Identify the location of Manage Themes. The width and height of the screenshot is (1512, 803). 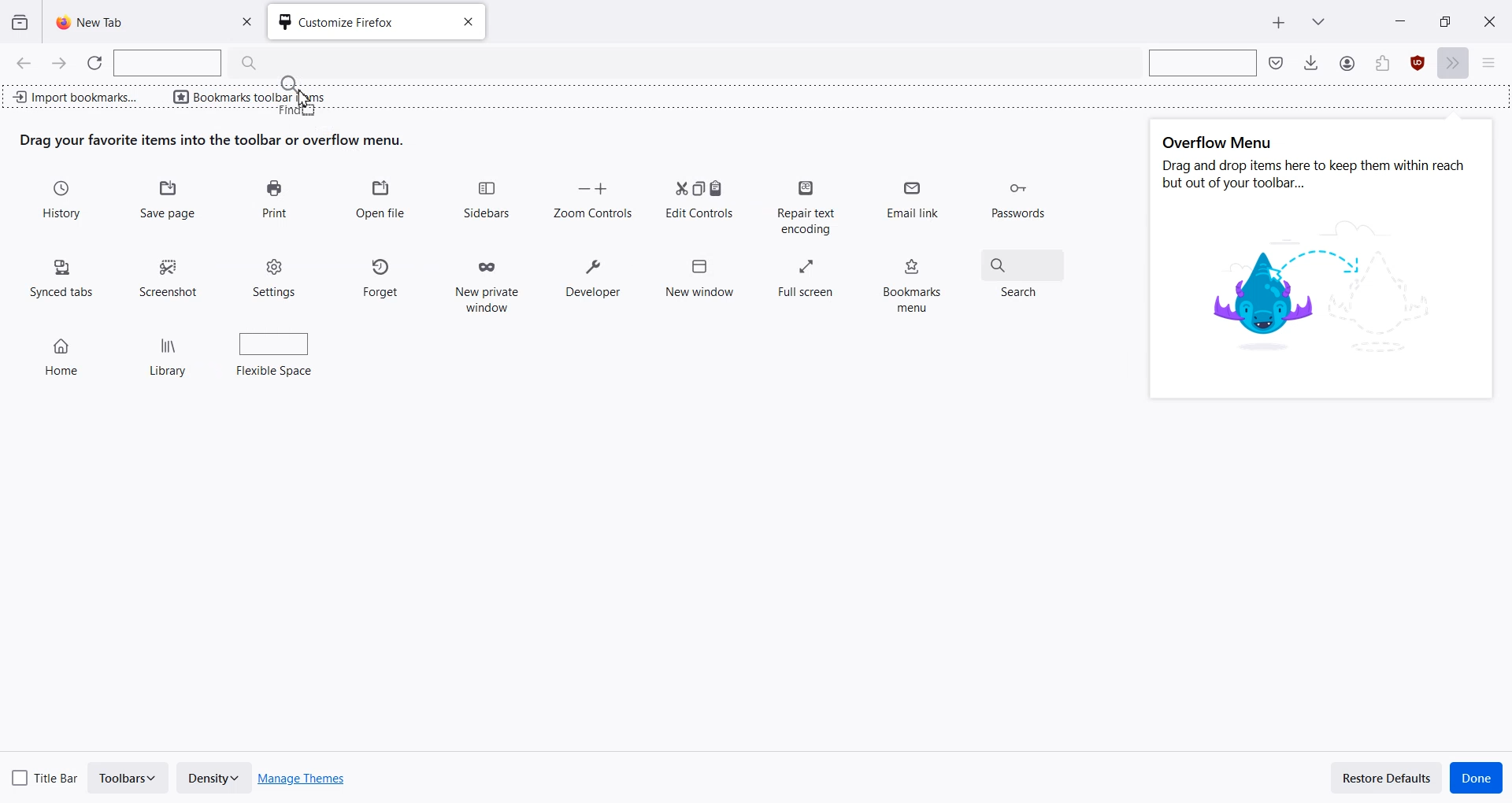
(302, 779).